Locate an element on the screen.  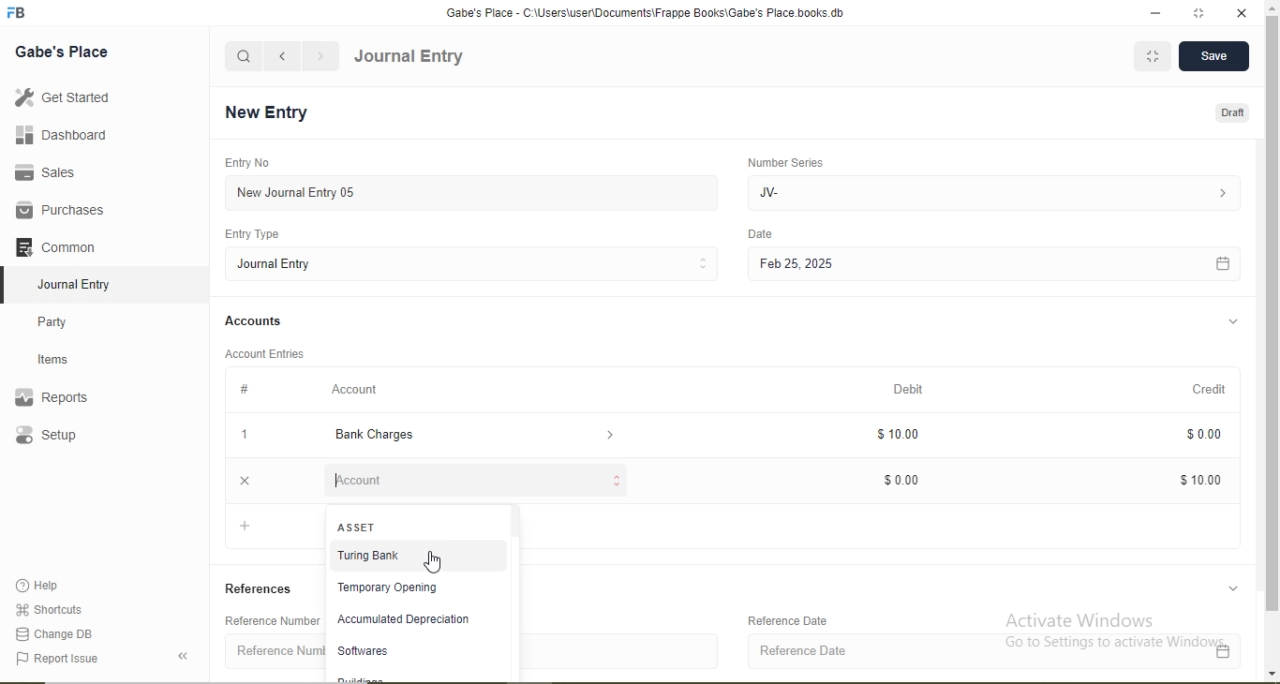
Gabe's Place is located at coordinates (64, 51).